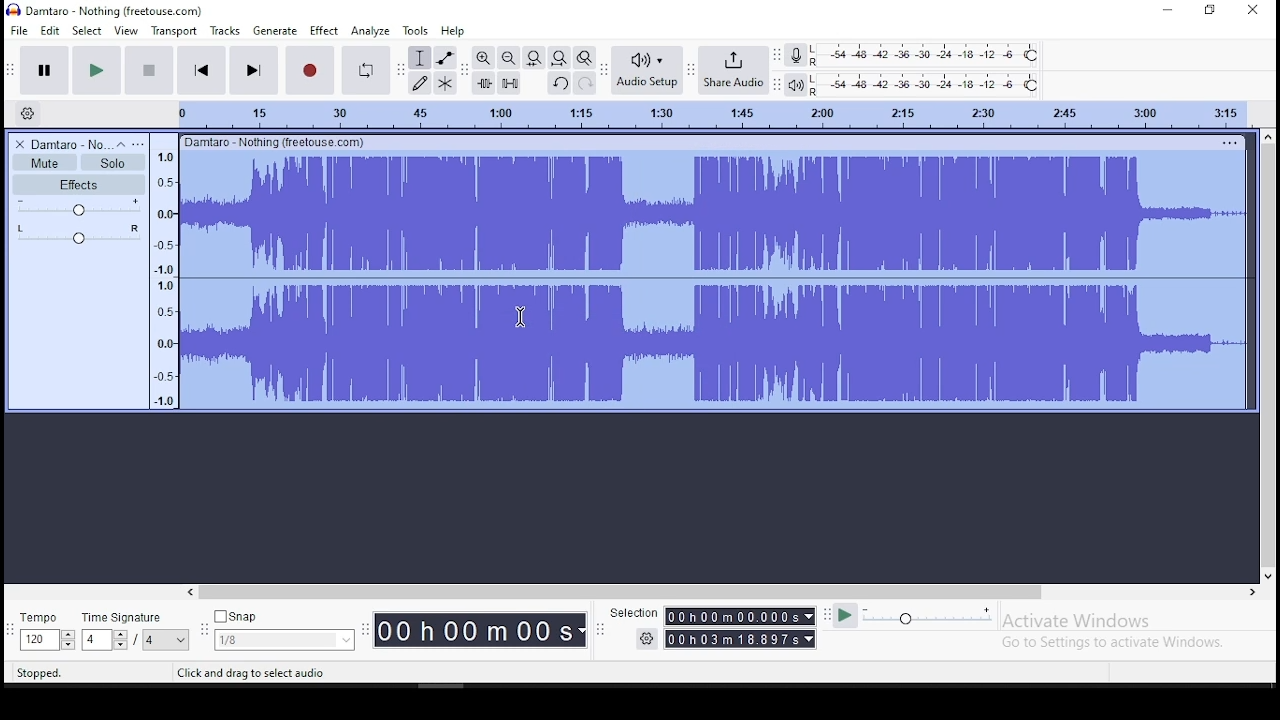 Image resolution: width=1280 pixels, height=720 pixels. I want to click on cursor, so click(520, 316).